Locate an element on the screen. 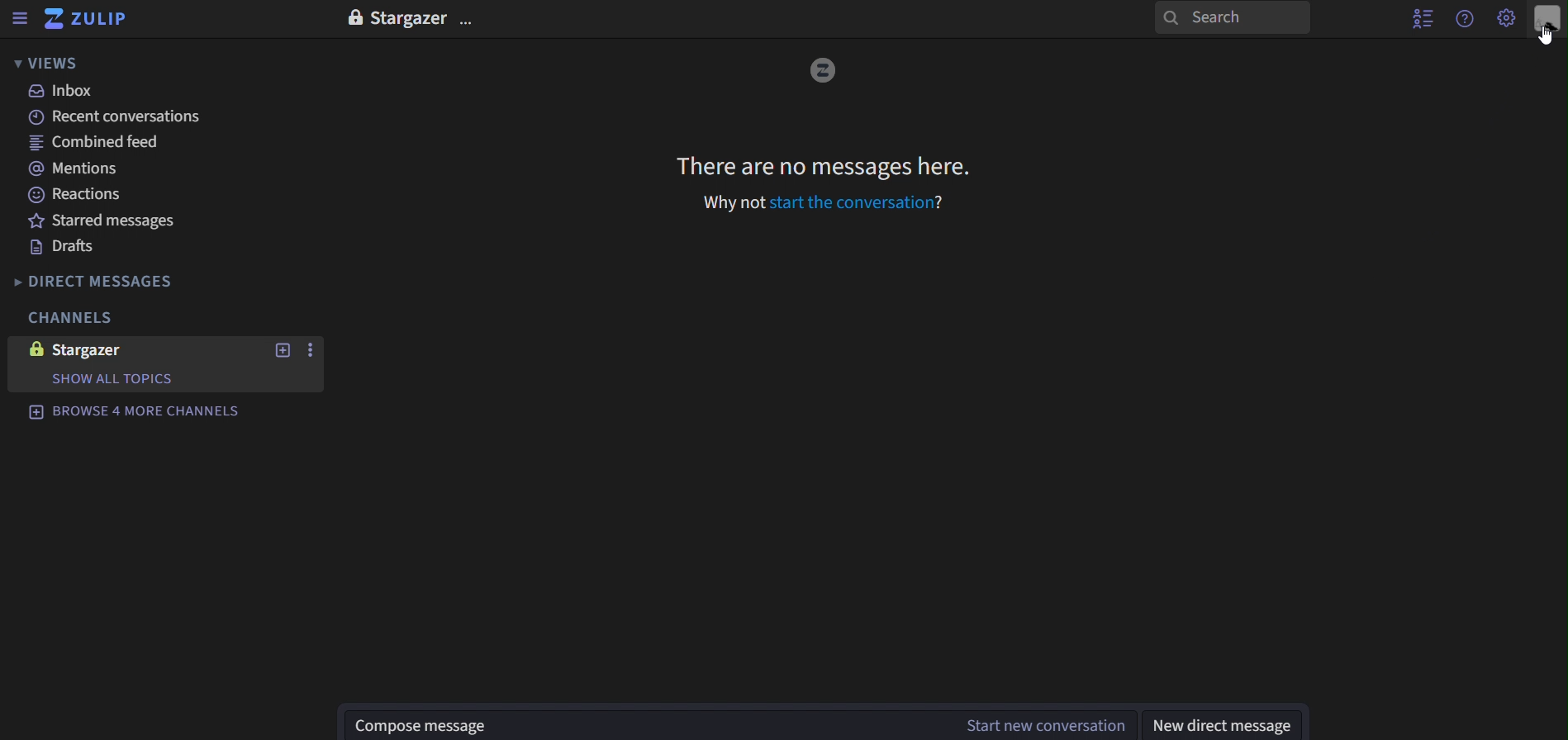  browse 4 more channels is located at coordinates (139, 415).